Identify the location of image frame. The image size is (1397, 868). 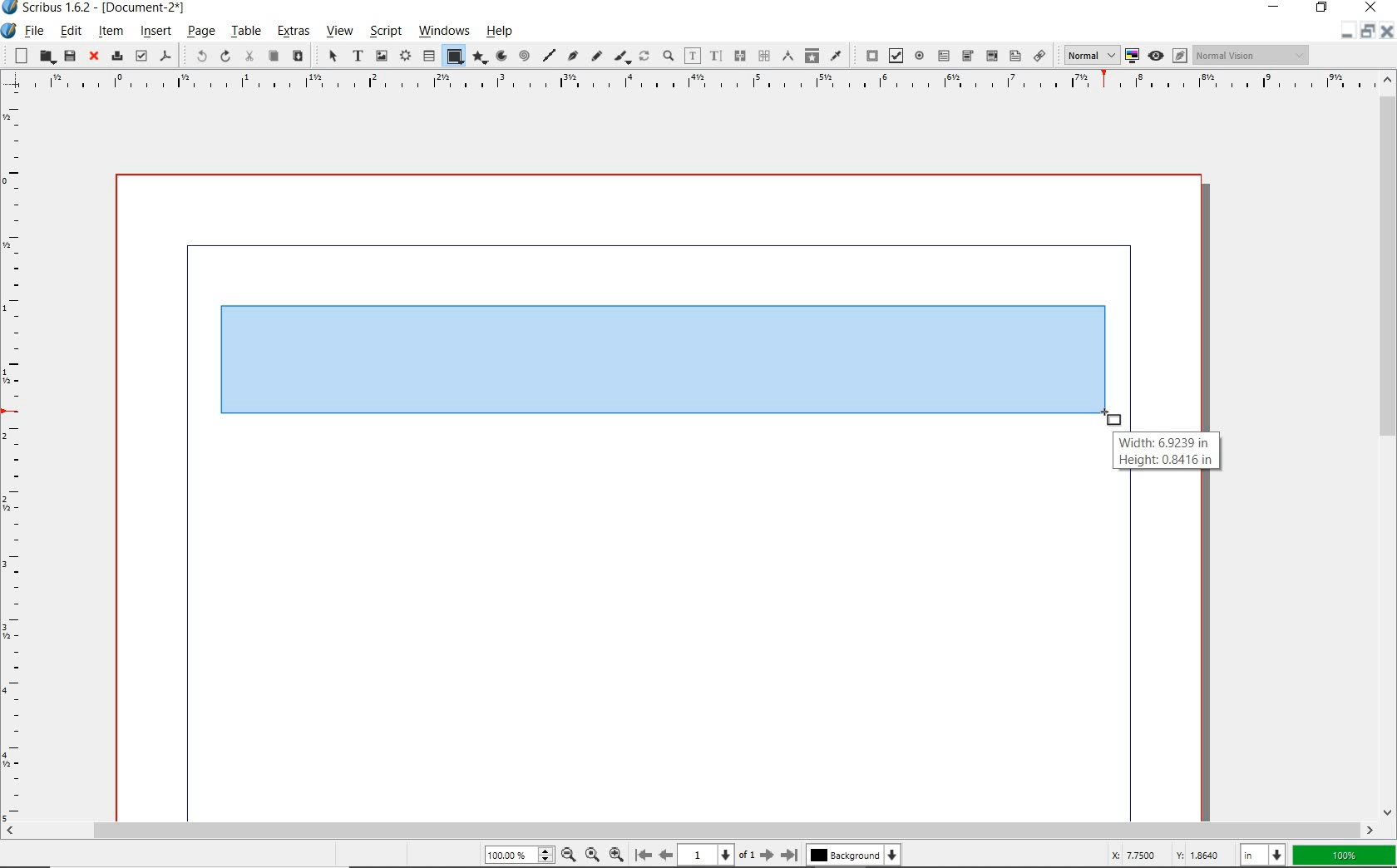
(381, 56).